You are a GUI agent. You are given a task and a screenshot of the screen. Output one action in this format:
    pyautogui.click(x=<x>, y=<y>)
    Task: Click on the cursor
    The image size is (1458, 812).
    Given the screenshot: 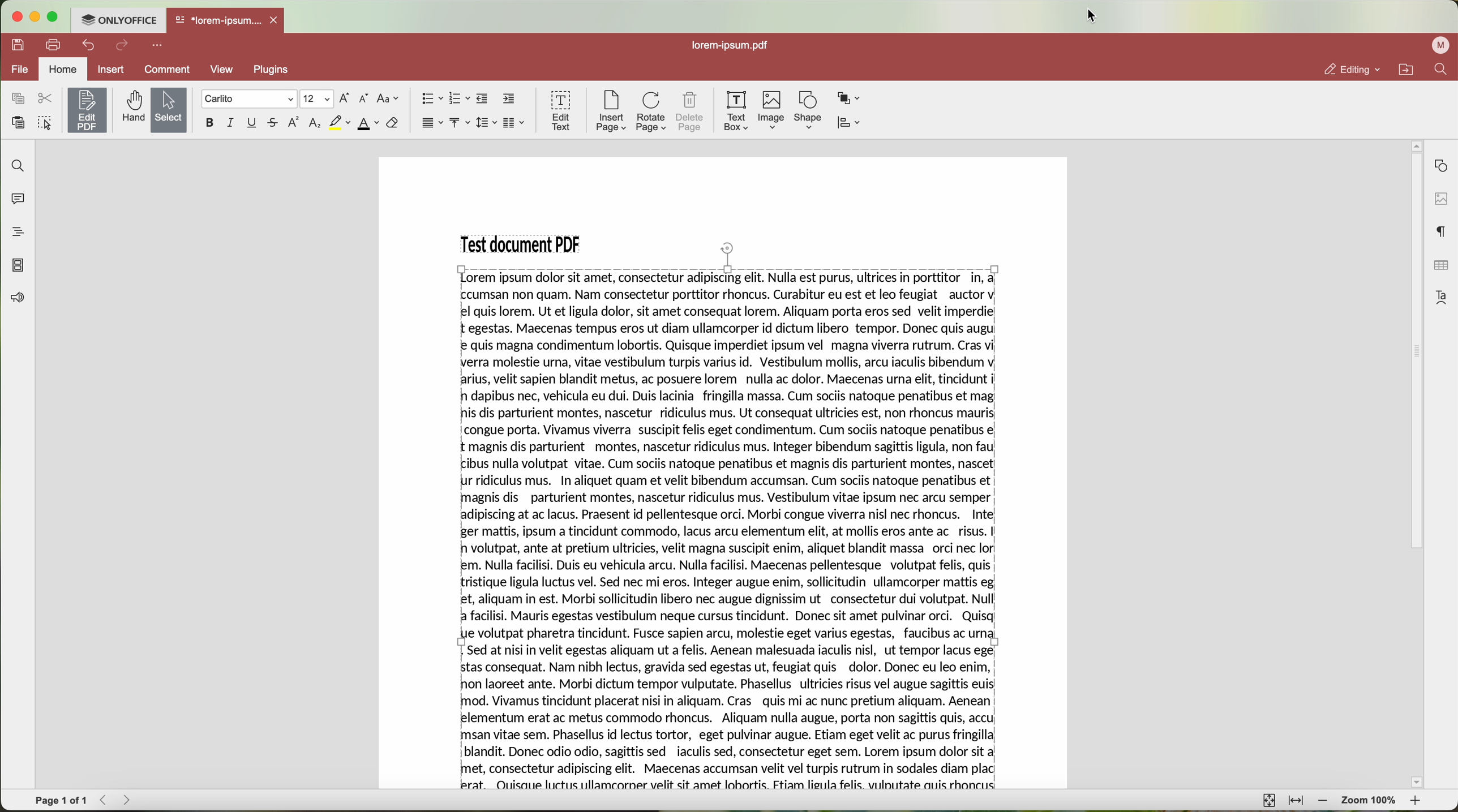 What is the action you would take?
    pyautogui.click(x=1092, y=15)
    